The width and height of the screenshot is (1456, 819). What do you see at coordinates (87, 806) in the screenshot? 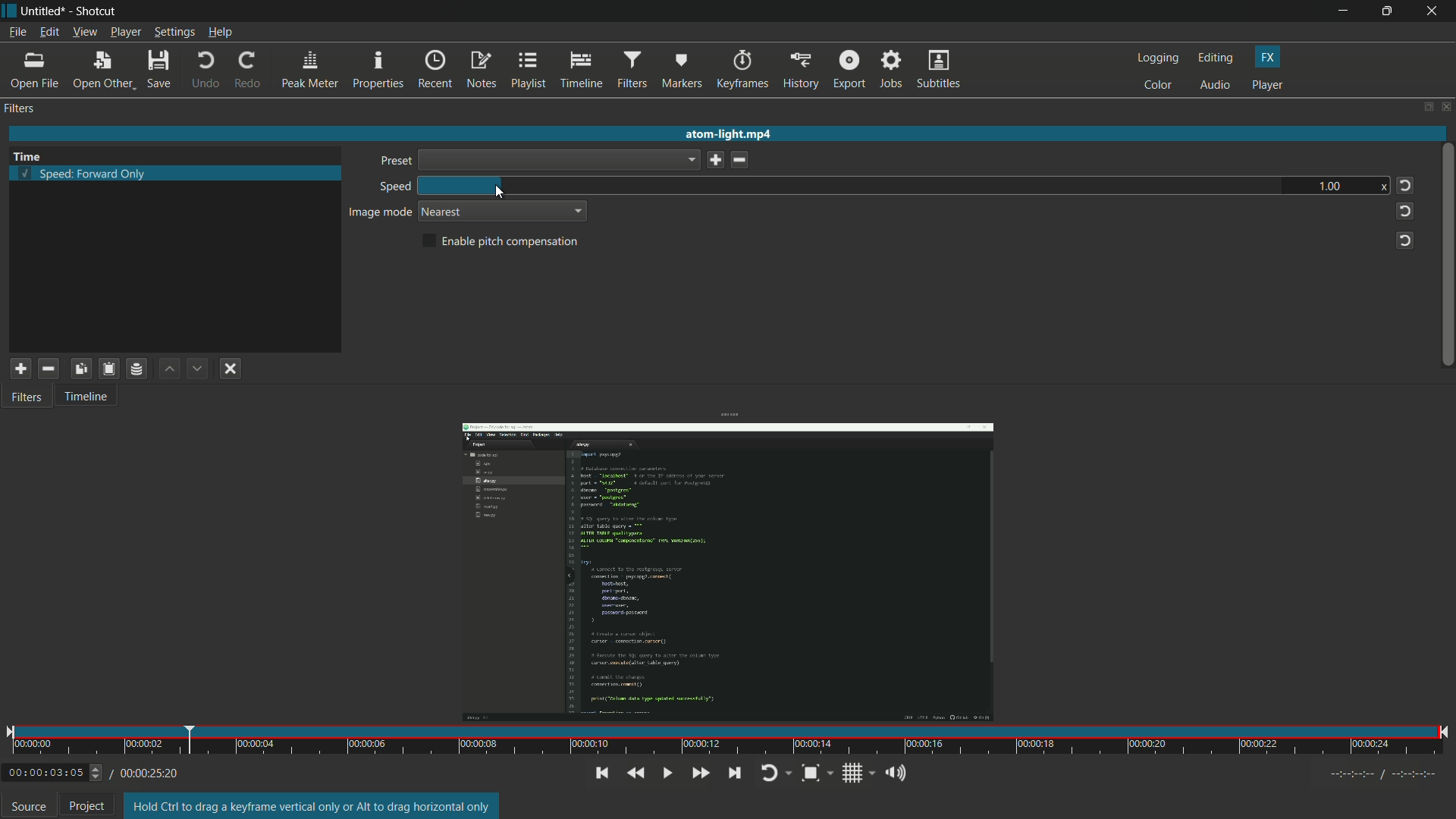
I see `project` at bounding box center [87, 806].